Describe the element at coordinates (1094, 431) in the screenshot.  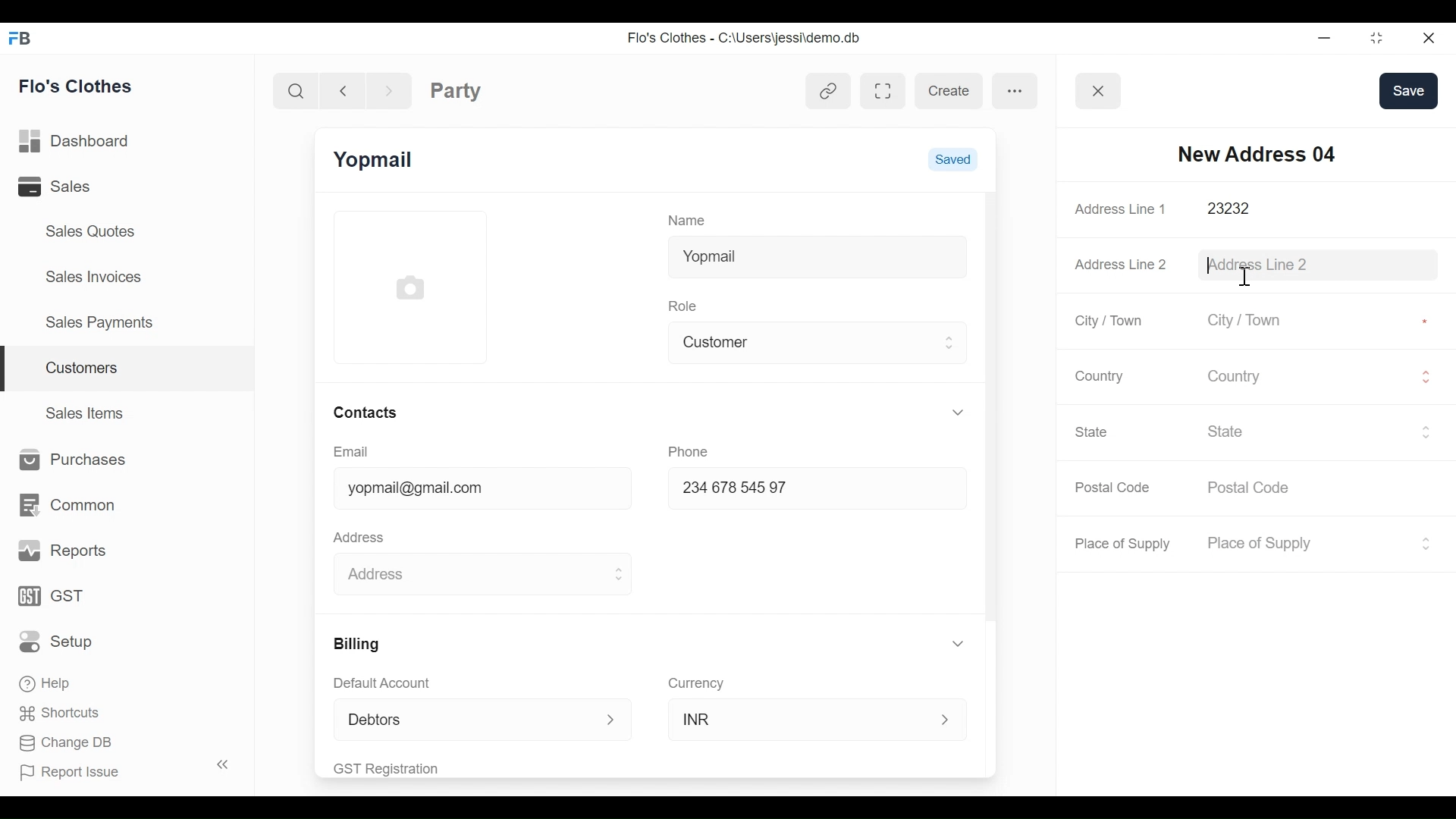
I see `State` at that location.